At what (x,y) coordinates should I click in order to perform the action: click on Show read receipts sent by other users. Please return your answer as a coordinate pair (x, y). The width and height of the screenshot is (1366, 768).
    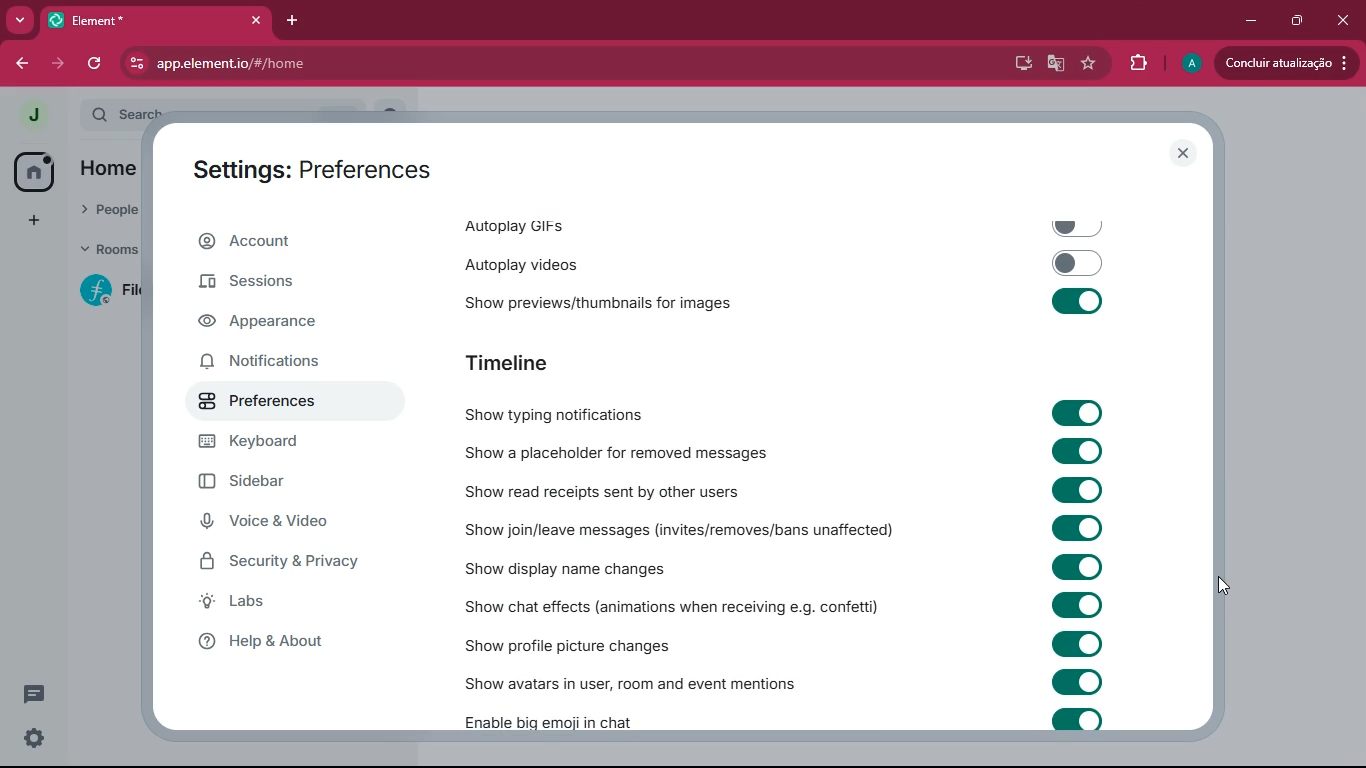
    Looking at the image, I should click on (785, 489).